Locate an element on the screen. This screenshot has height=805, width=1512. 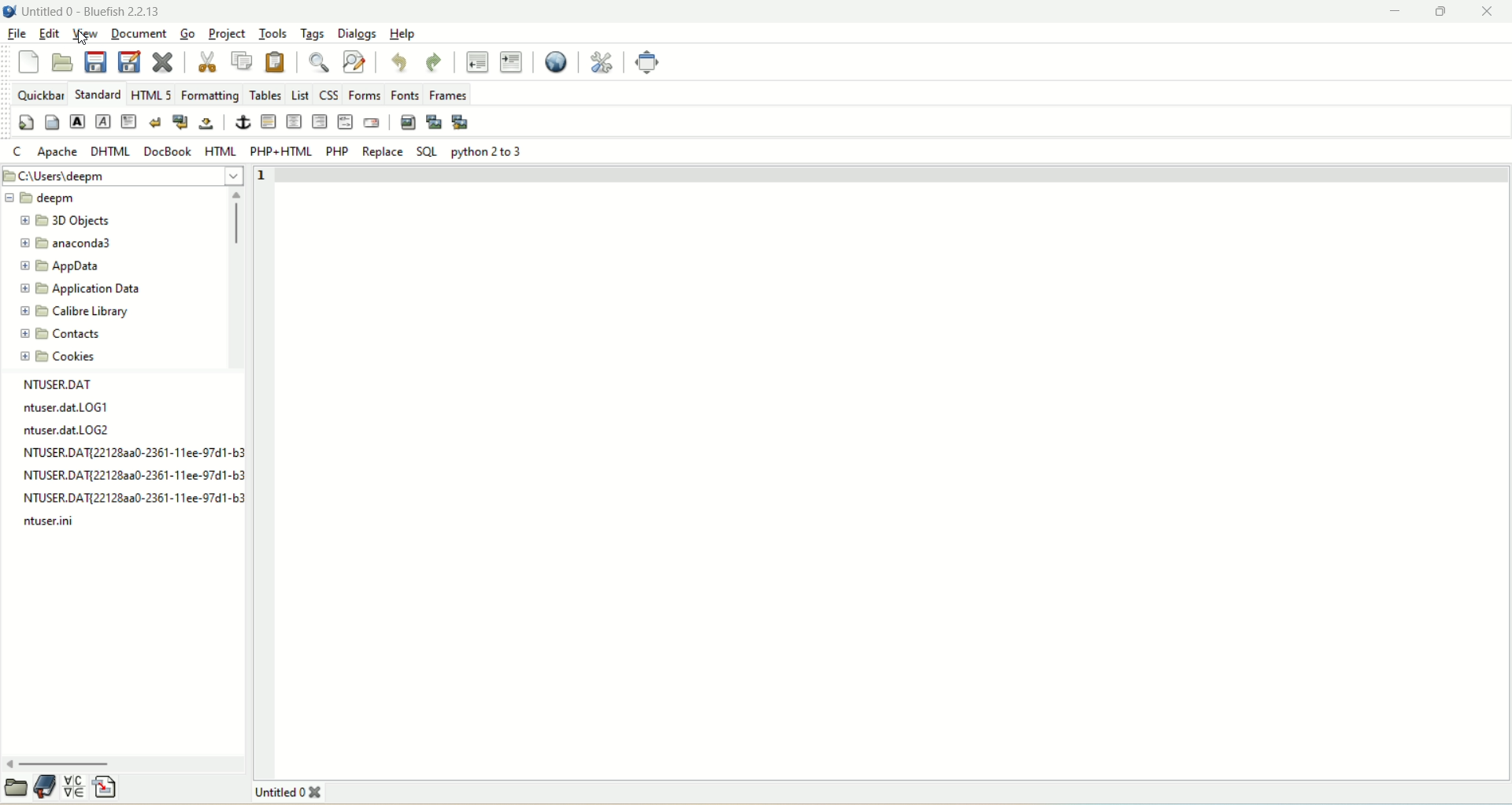
non-breaking space is located at coordinates (206, 124).